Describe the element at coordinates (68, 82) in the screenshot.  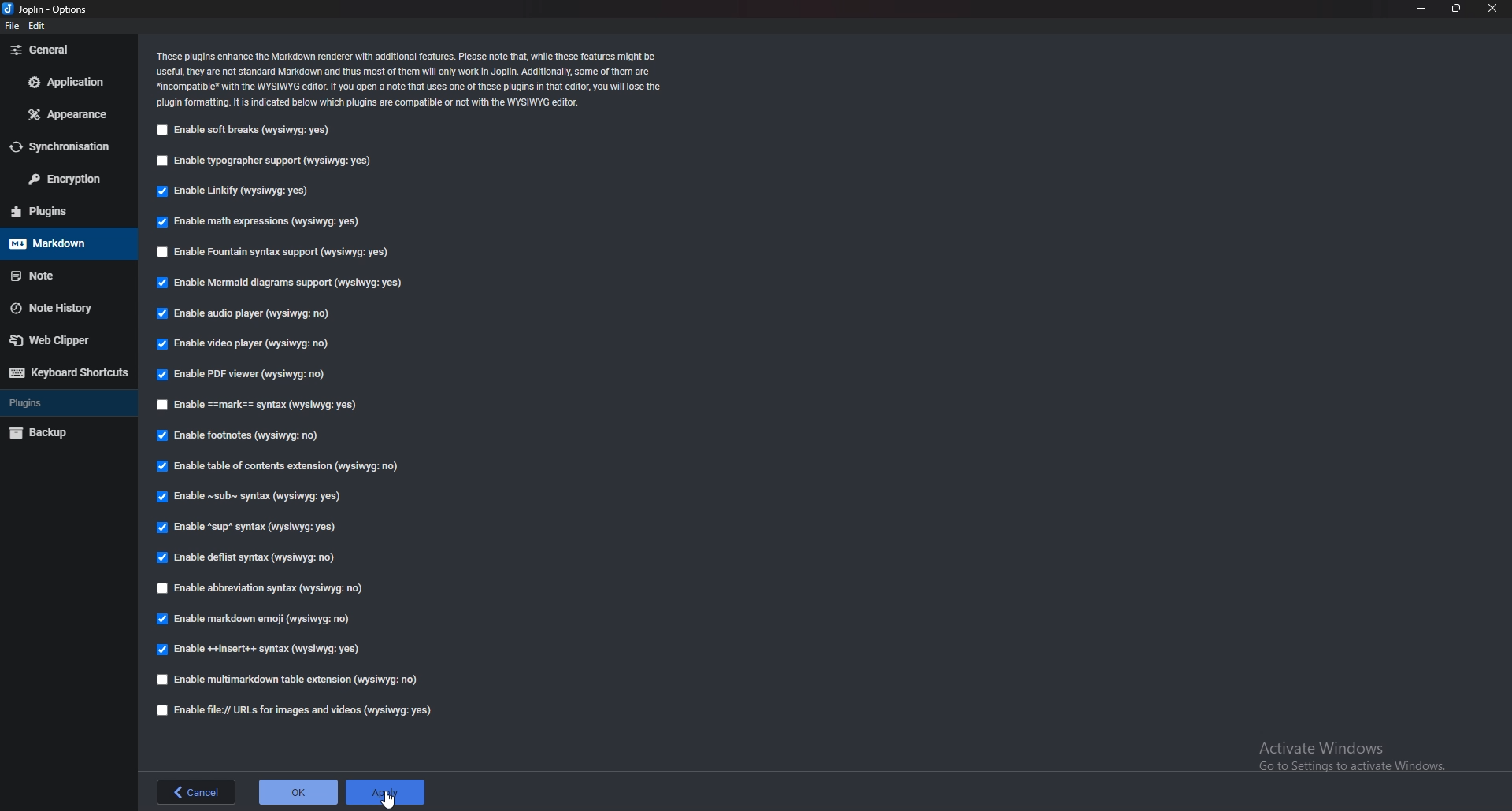
I see `Application` at that location.